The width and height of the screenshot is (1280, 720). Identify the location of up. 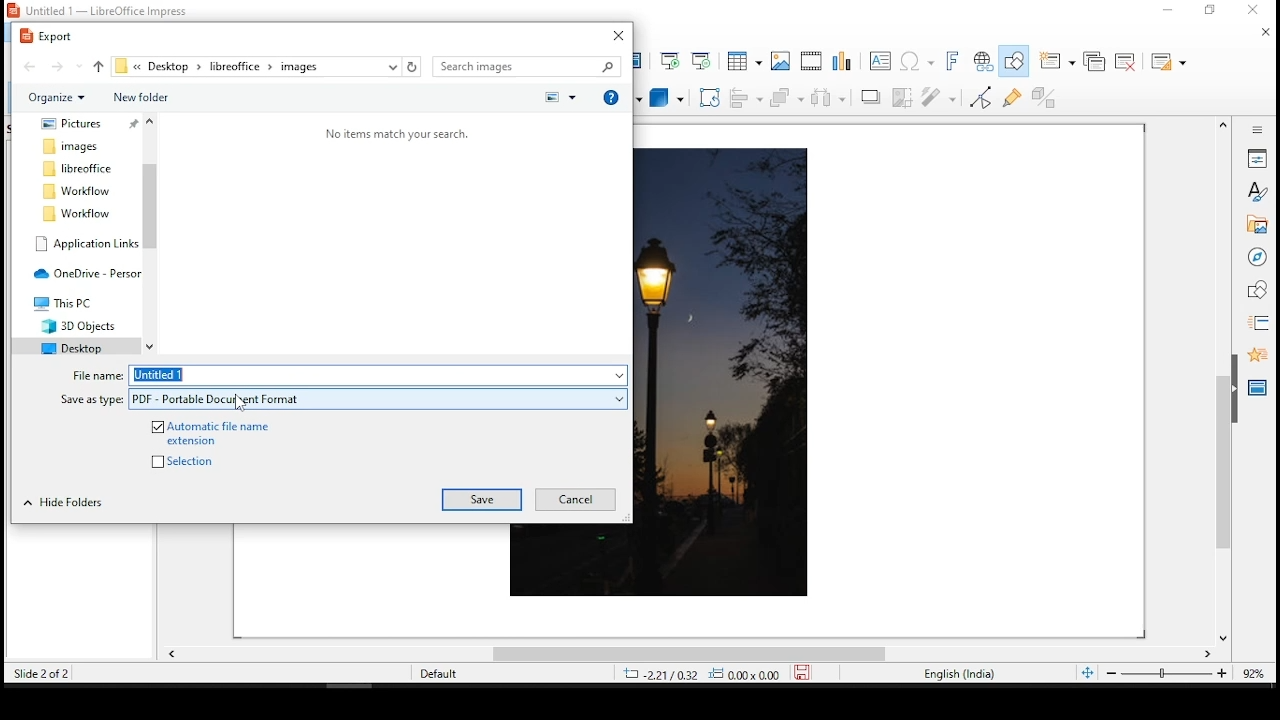
(100, 65).